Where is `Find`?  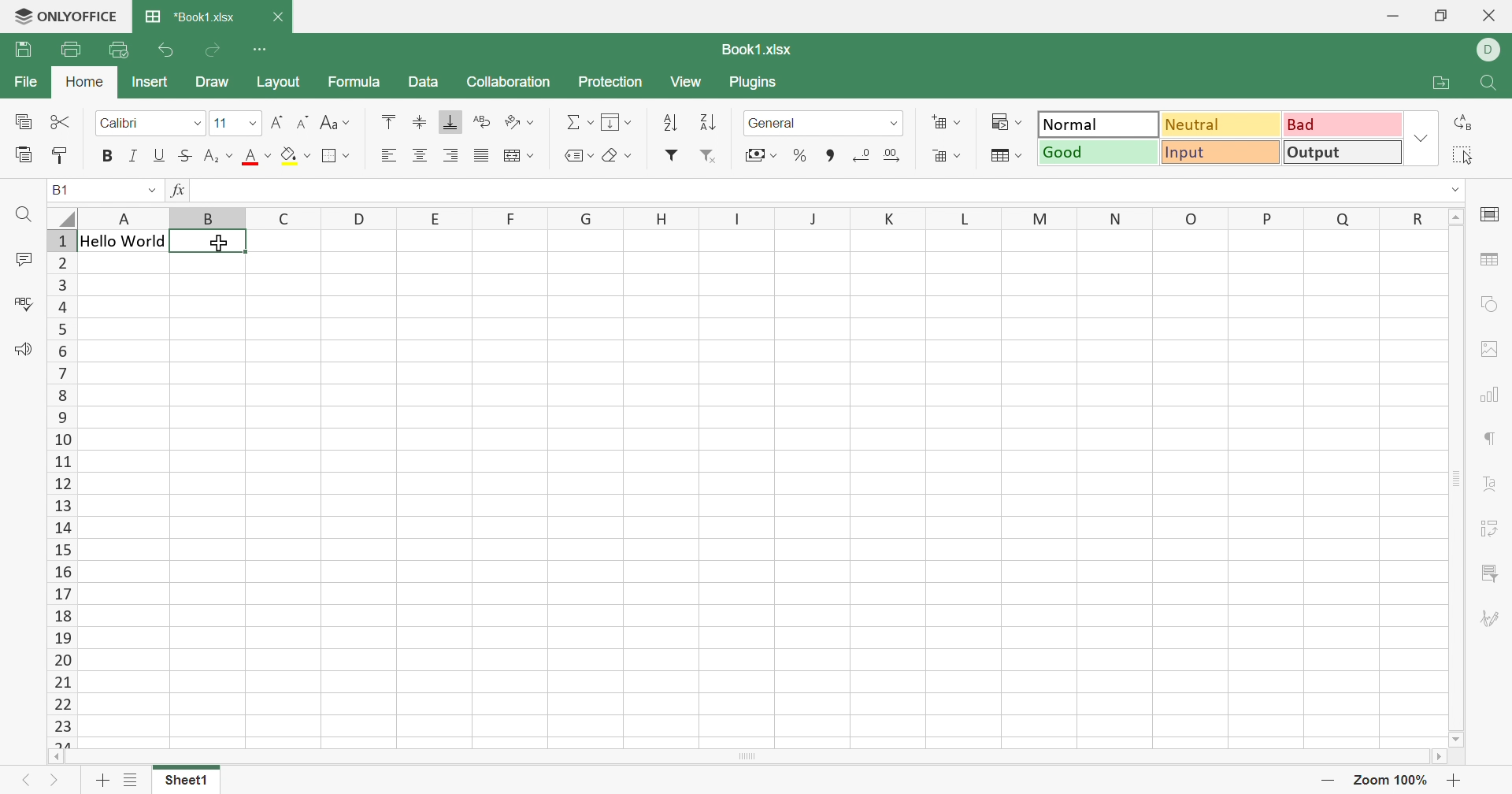 Find is located at coordinates (22, 216).